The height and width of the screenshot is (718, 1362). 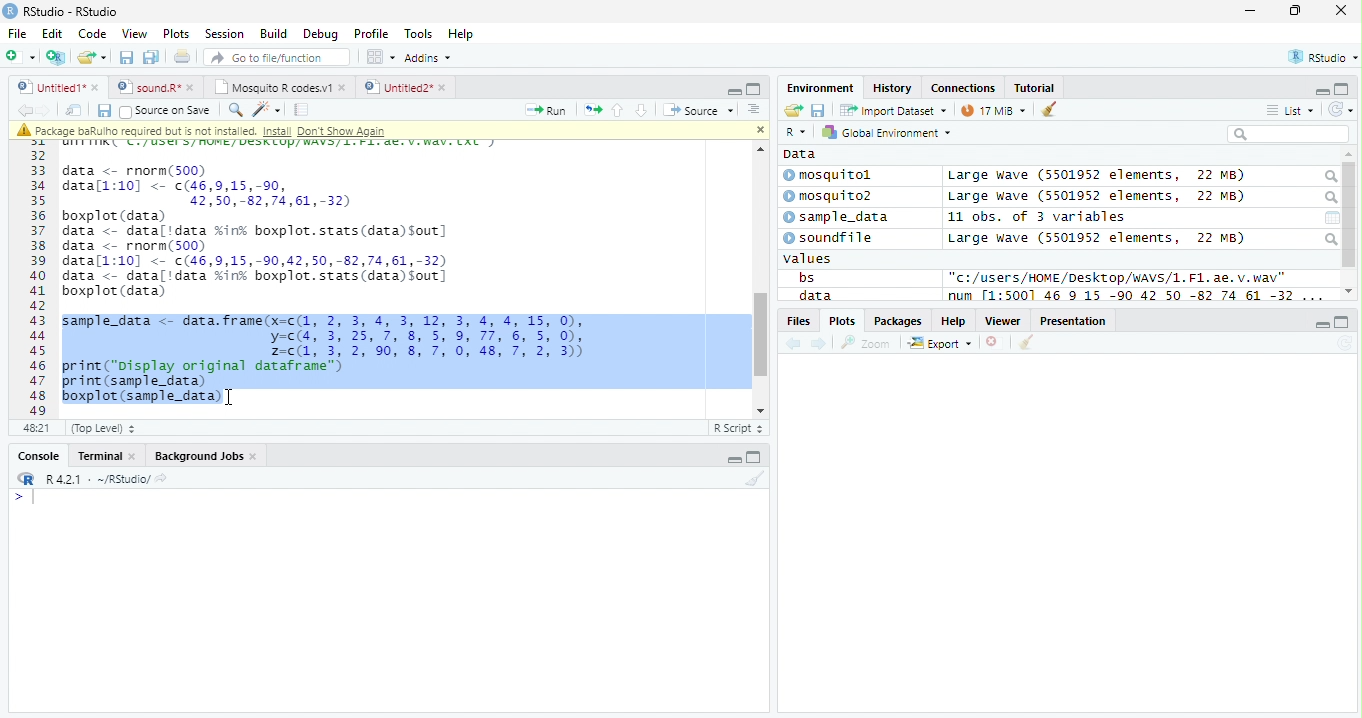 What do you see at coordinates (1049, 108) in the screenshot?
I see `clear console` at bounding box center [1049, 108].